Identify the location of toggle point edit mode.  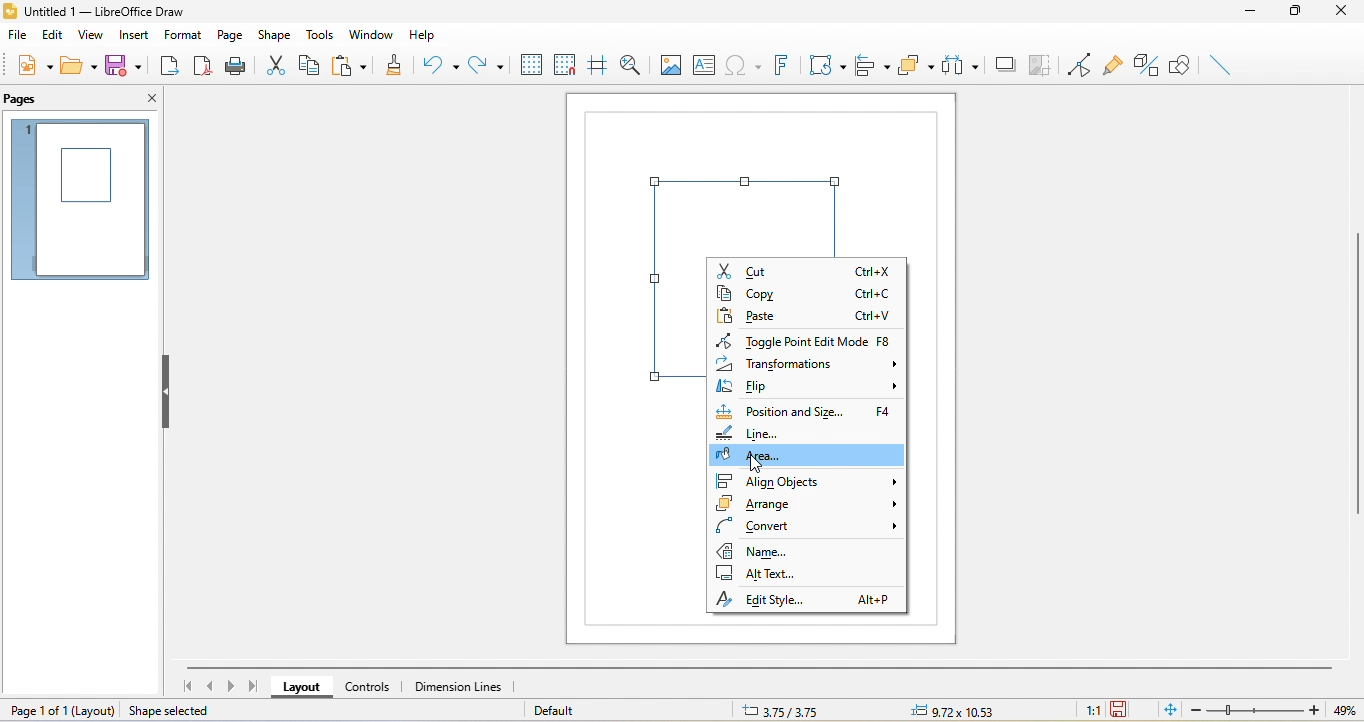
(812, 342).